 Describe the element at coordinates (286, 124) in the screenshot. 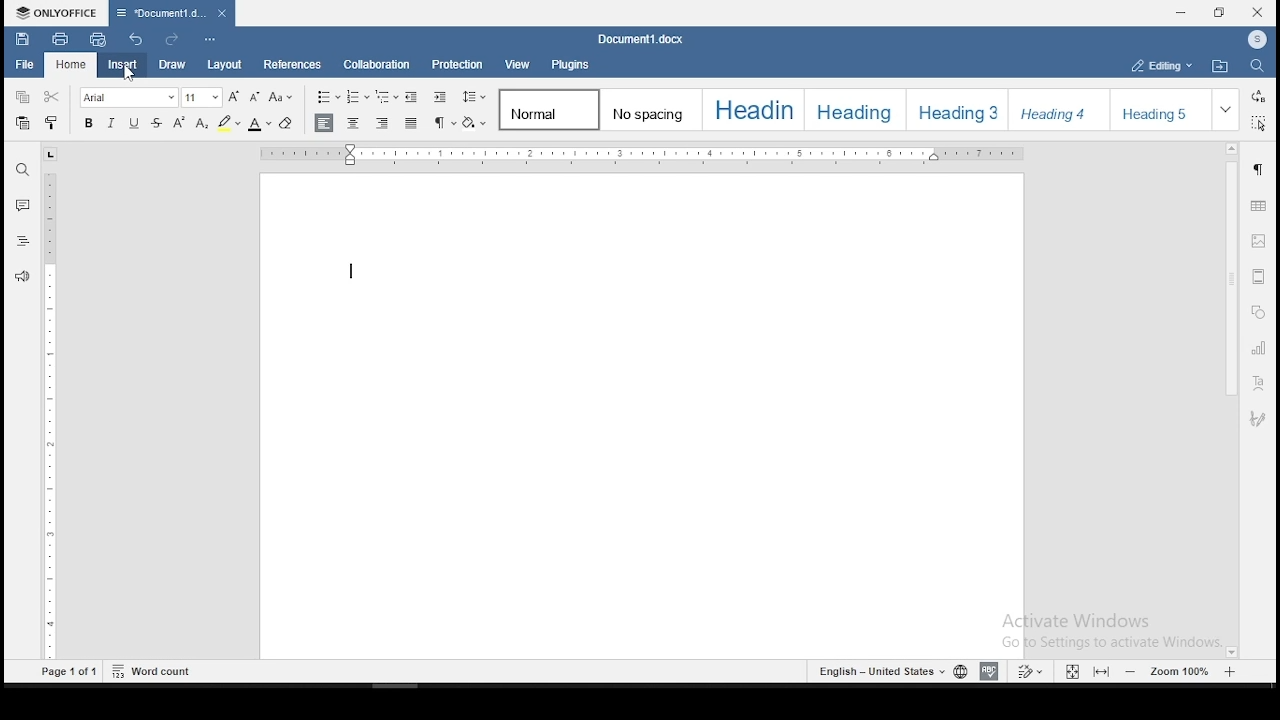

I see `clear style` at that location.